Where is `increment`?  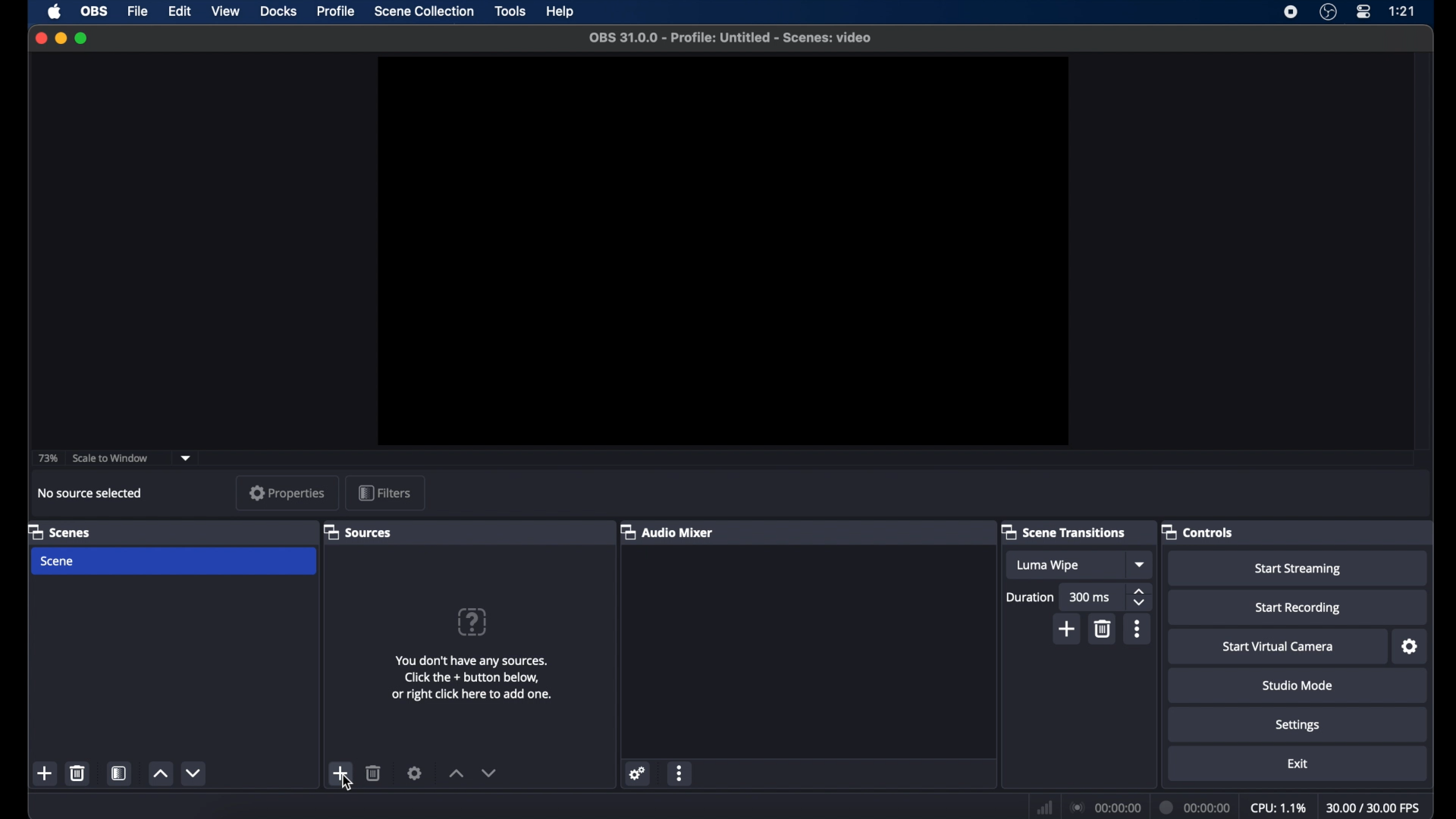 increment is located at coordinates (159, 773).